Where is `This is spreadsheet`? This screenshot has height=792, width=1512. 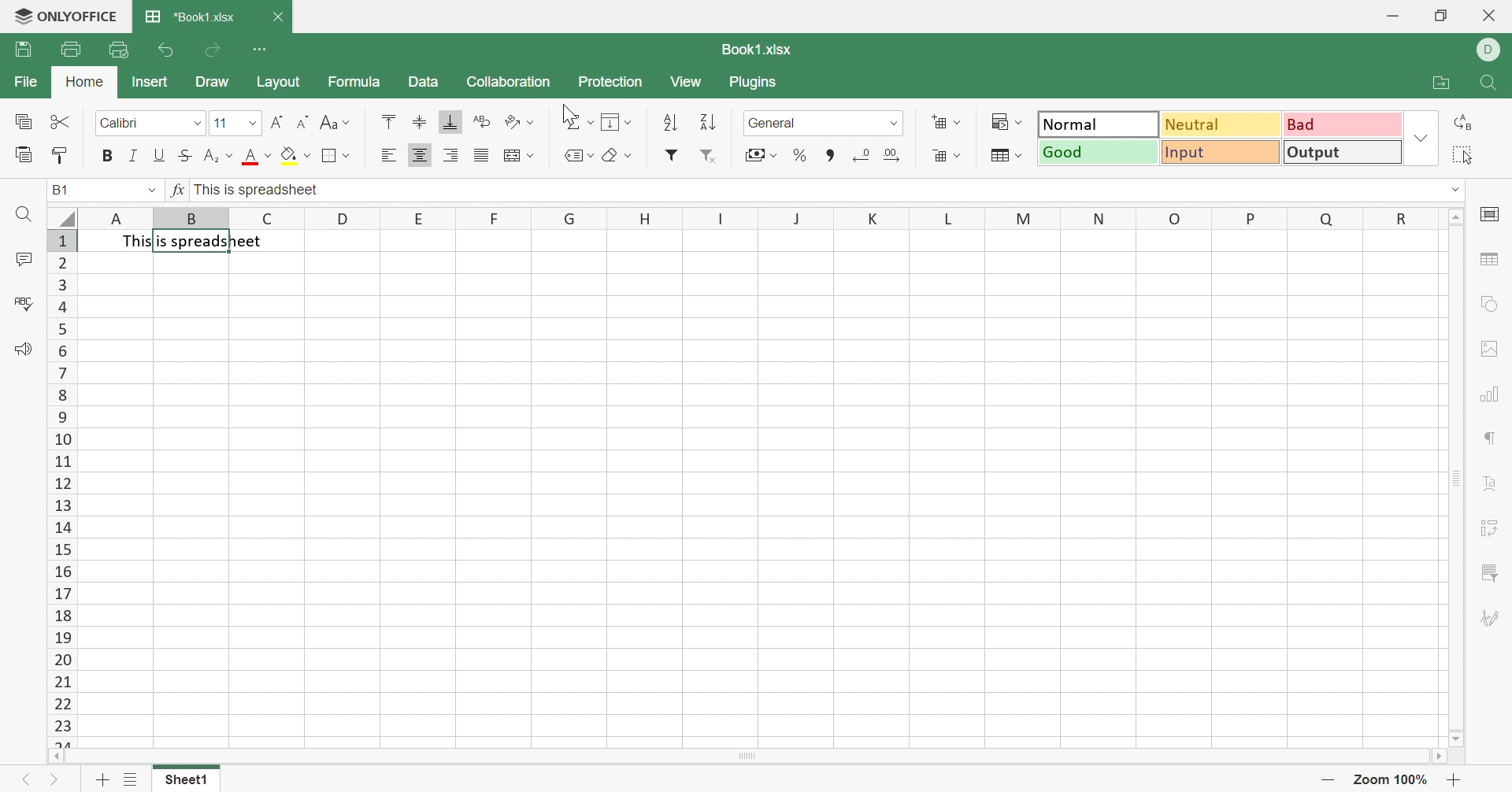 This is spreadsheet is located at coordinates (197, 240).